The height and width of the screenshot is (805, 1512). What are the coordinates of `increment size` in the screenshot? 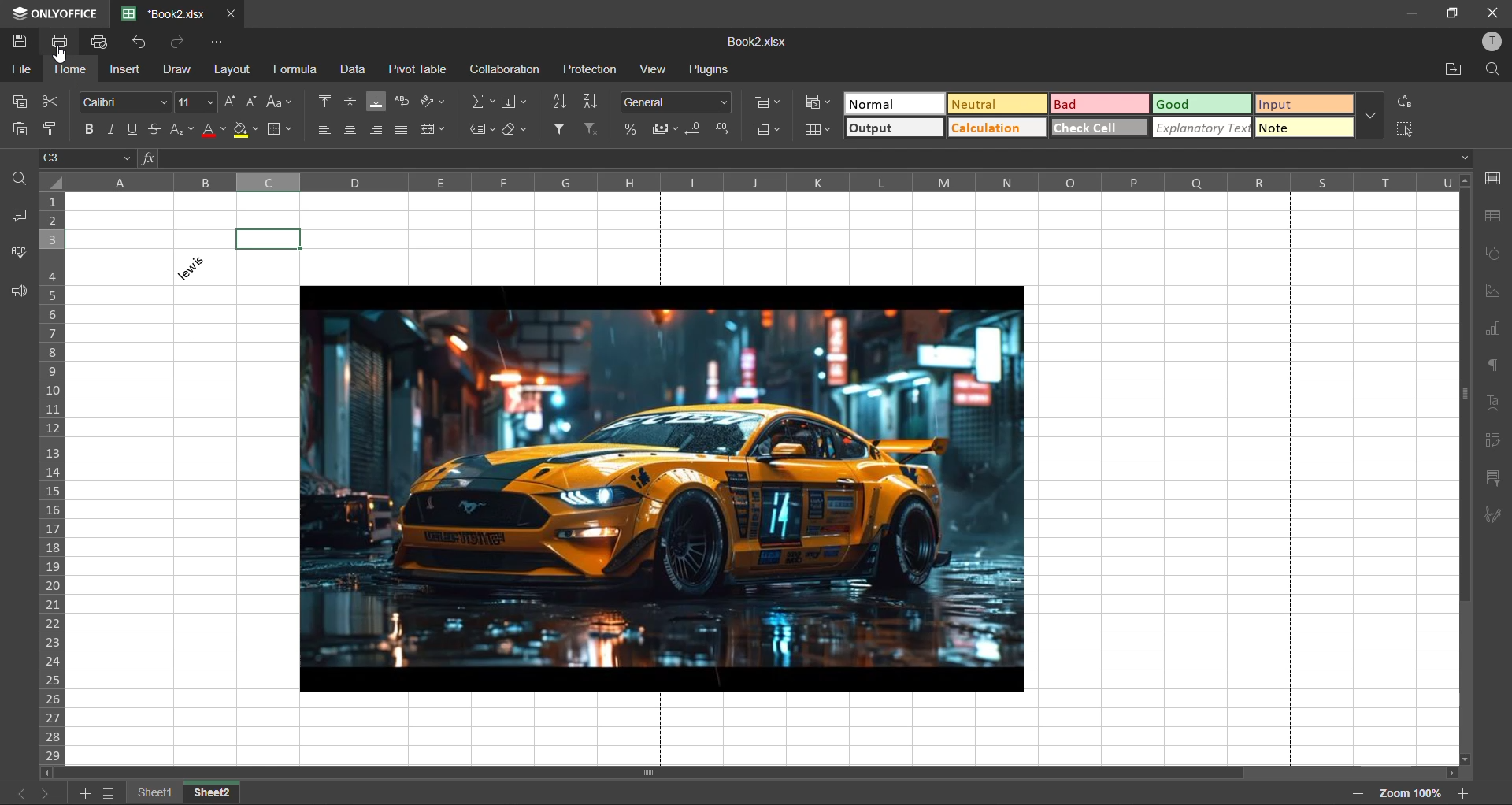 It's located at (230, 101).